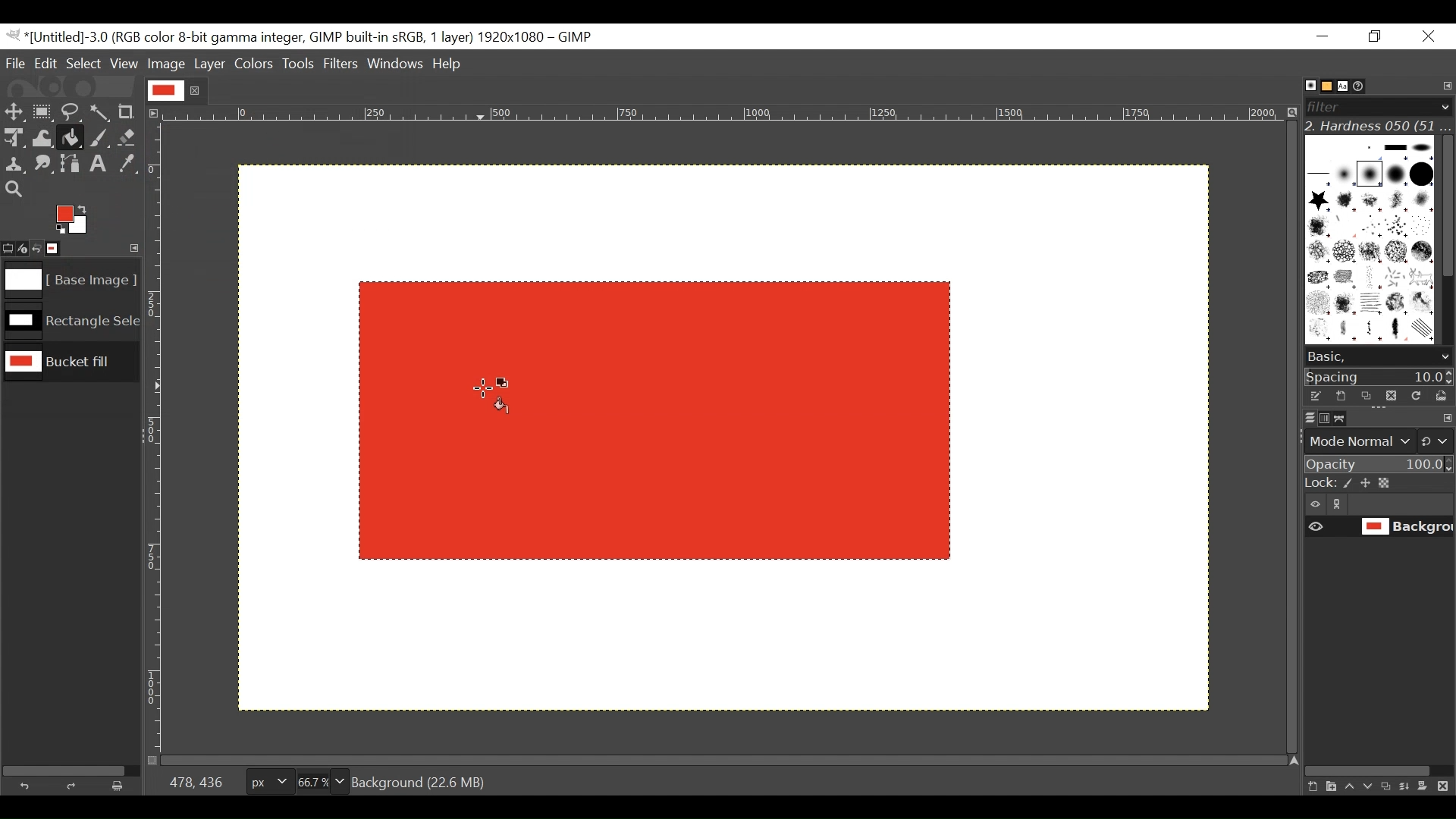 Image resolution: width=1456 pixels, height=819 pixels. What do you see at coordinates (1379, 376) in the screenshot?
I see `Spacing` at bounding box center [1379, 376].